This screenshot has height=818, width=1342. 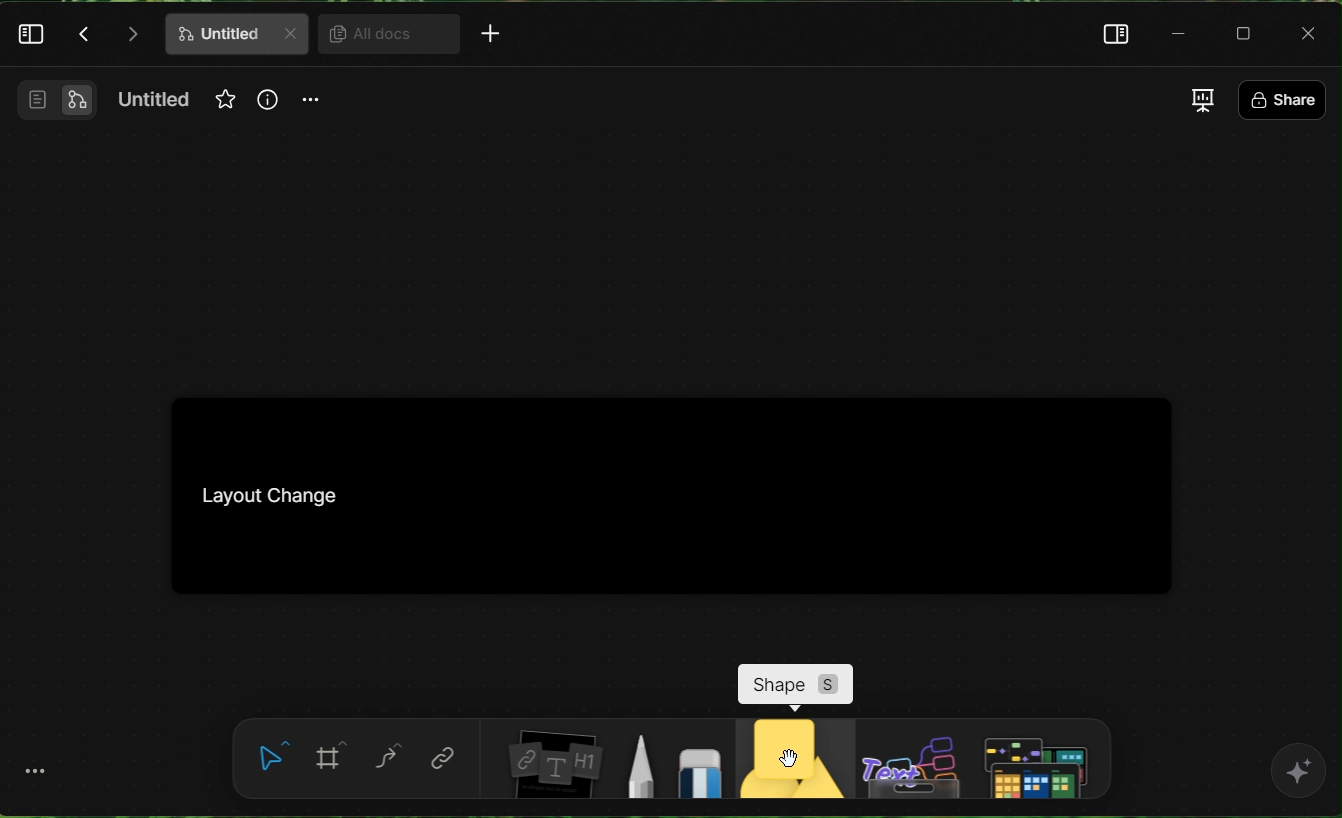 What do you see at coordinates (656, 494) in the screenshot?
I see `Kanban board` at bounding box center [656, 494].